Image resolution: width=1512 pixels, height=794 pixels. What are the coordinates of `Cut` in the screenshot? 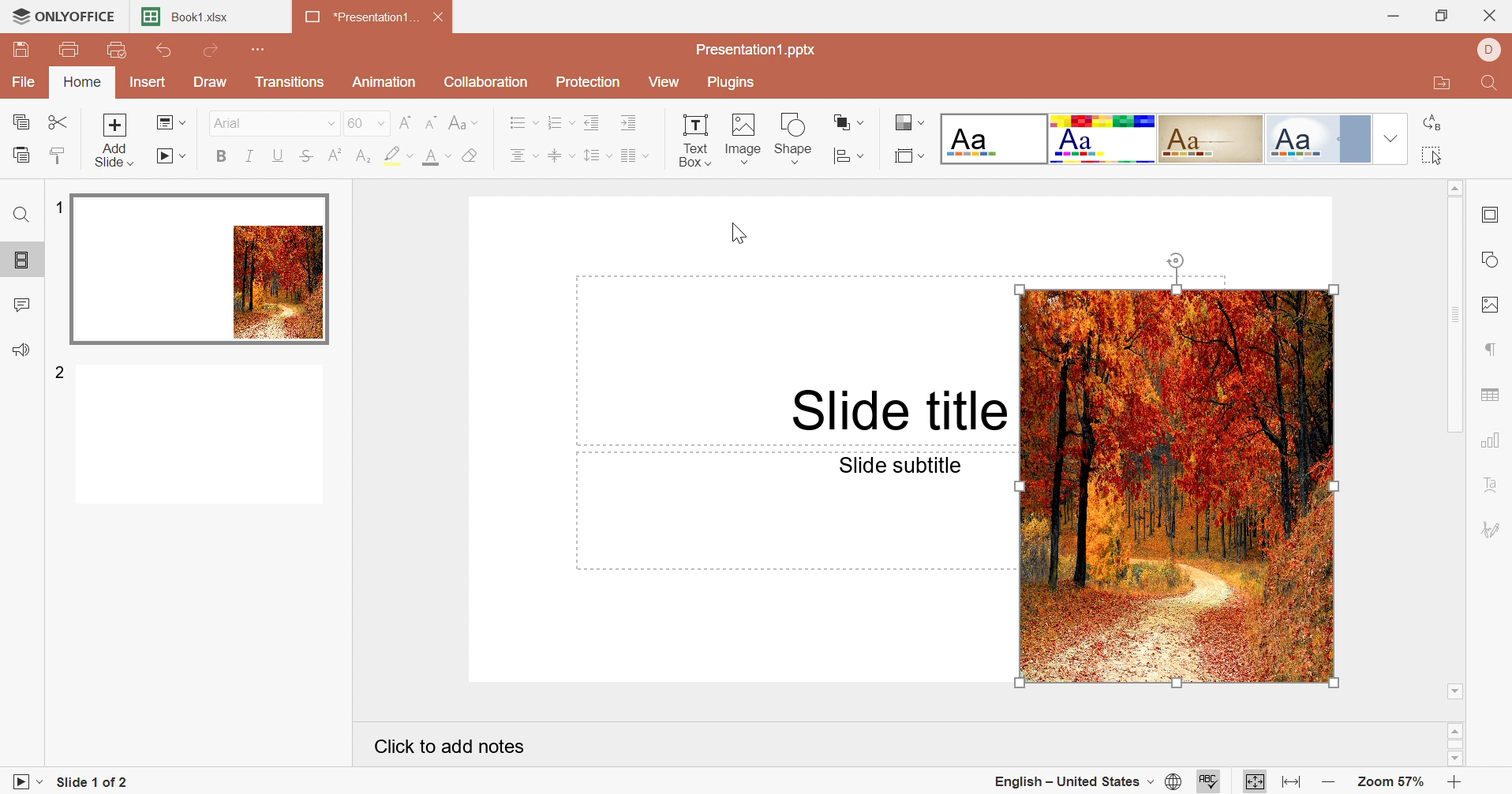 It's located at (58, 122).